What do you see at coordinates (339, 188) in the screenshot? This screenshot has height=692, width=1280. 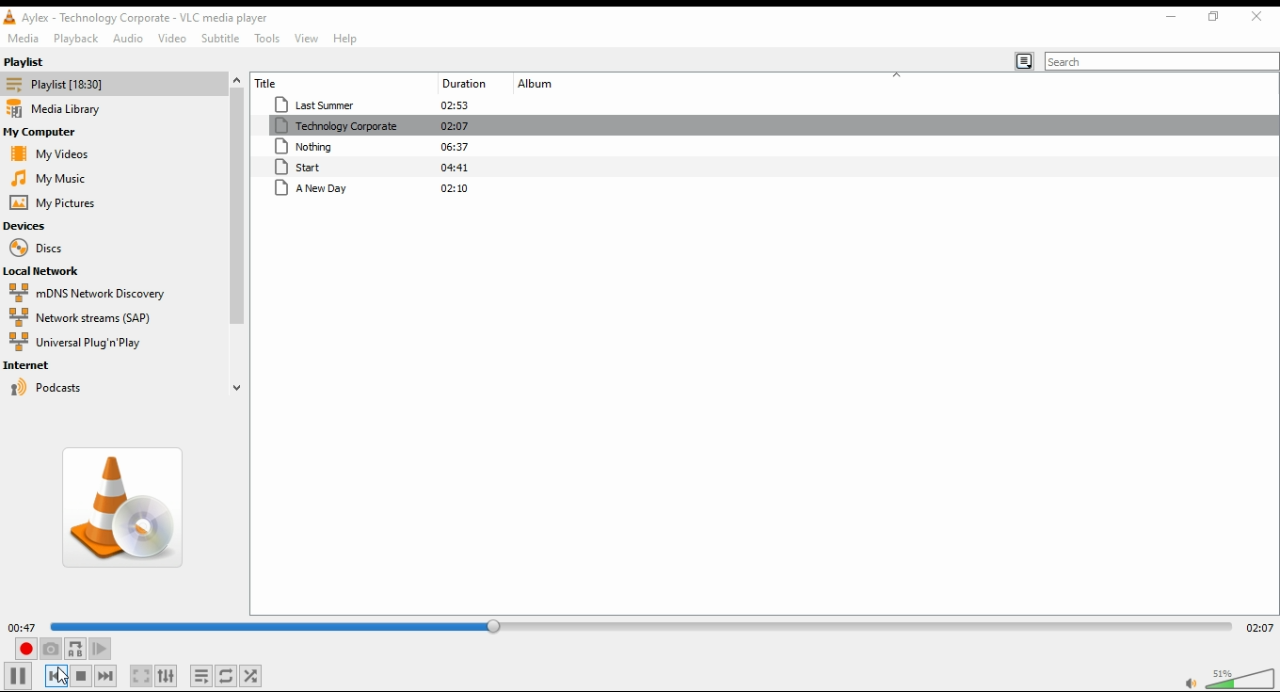 I see `a new day` at bounding box center [339, 188].